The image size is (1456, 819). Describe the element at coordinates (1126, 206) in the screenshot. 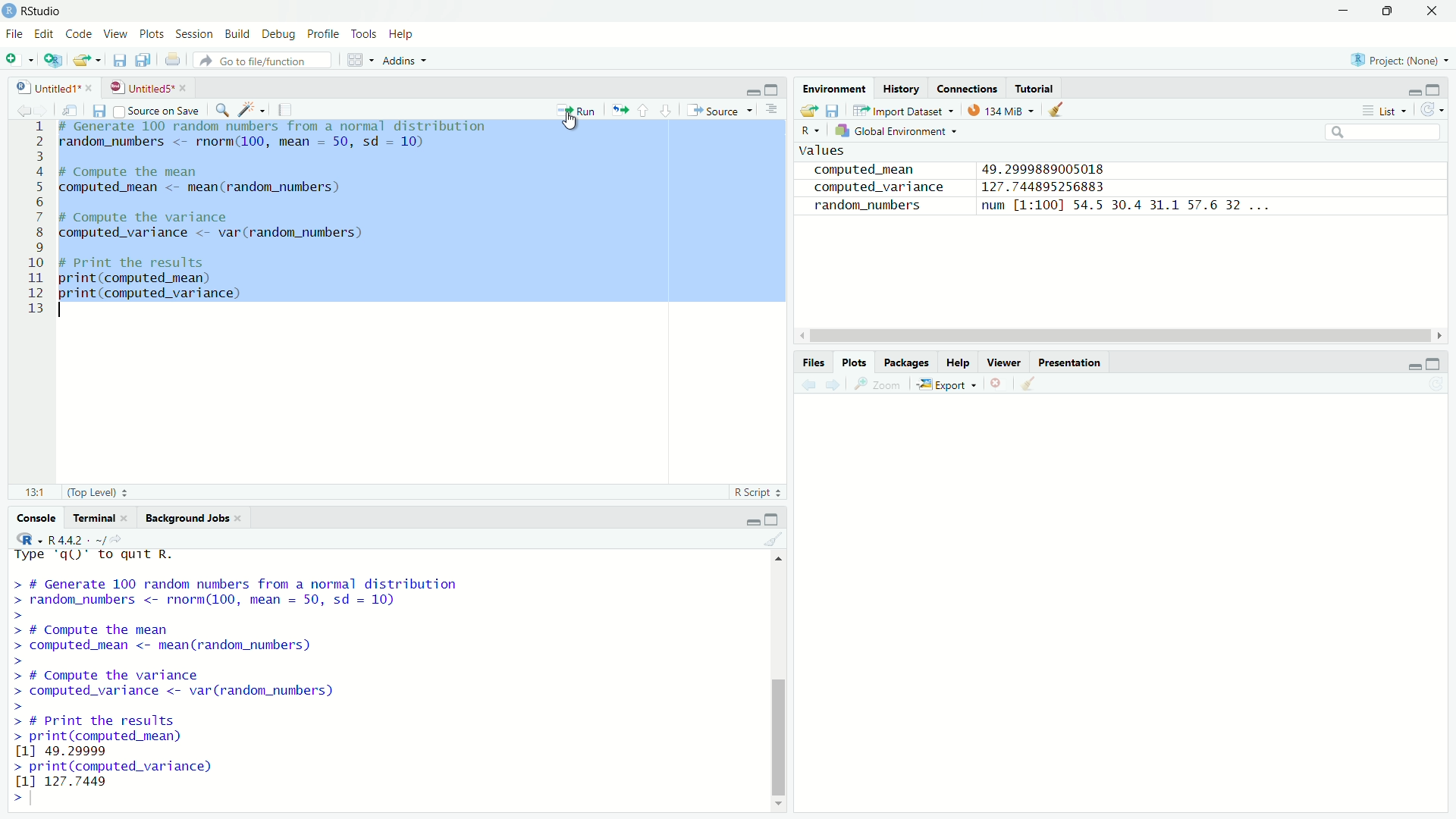

I see `num [1:100] 54.5 30.4 31.1 57.6 32 ...` at that location.